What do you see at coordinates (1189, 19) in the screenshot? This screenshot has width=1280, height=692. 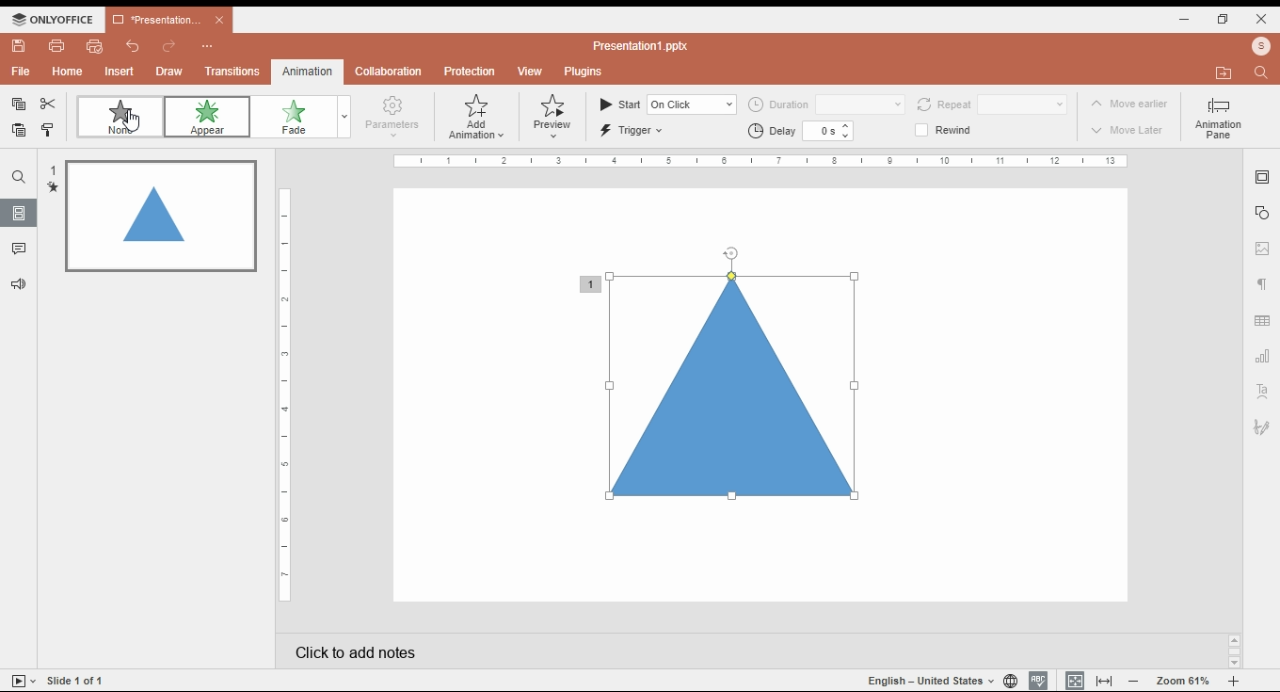 I see `minimize` at bounding box center [1189, 19].